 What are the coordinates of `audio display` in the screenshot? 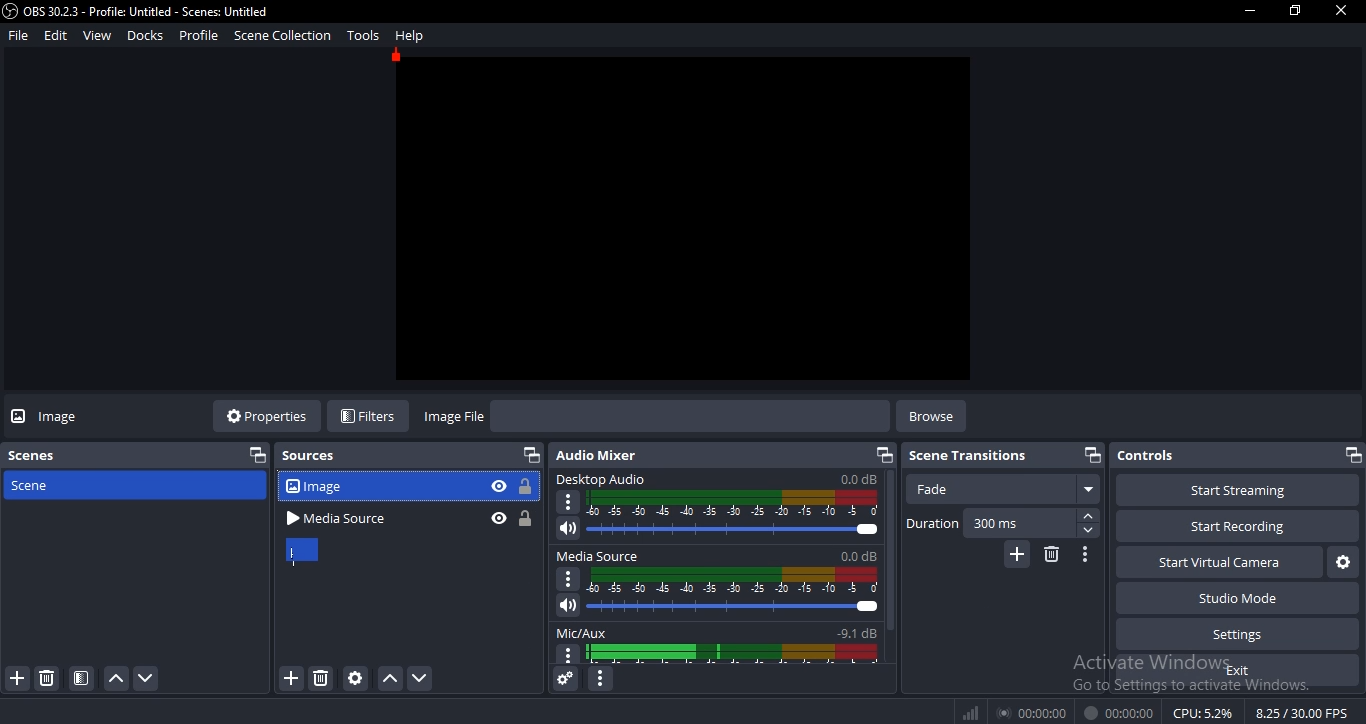 It's located at (734, 503).